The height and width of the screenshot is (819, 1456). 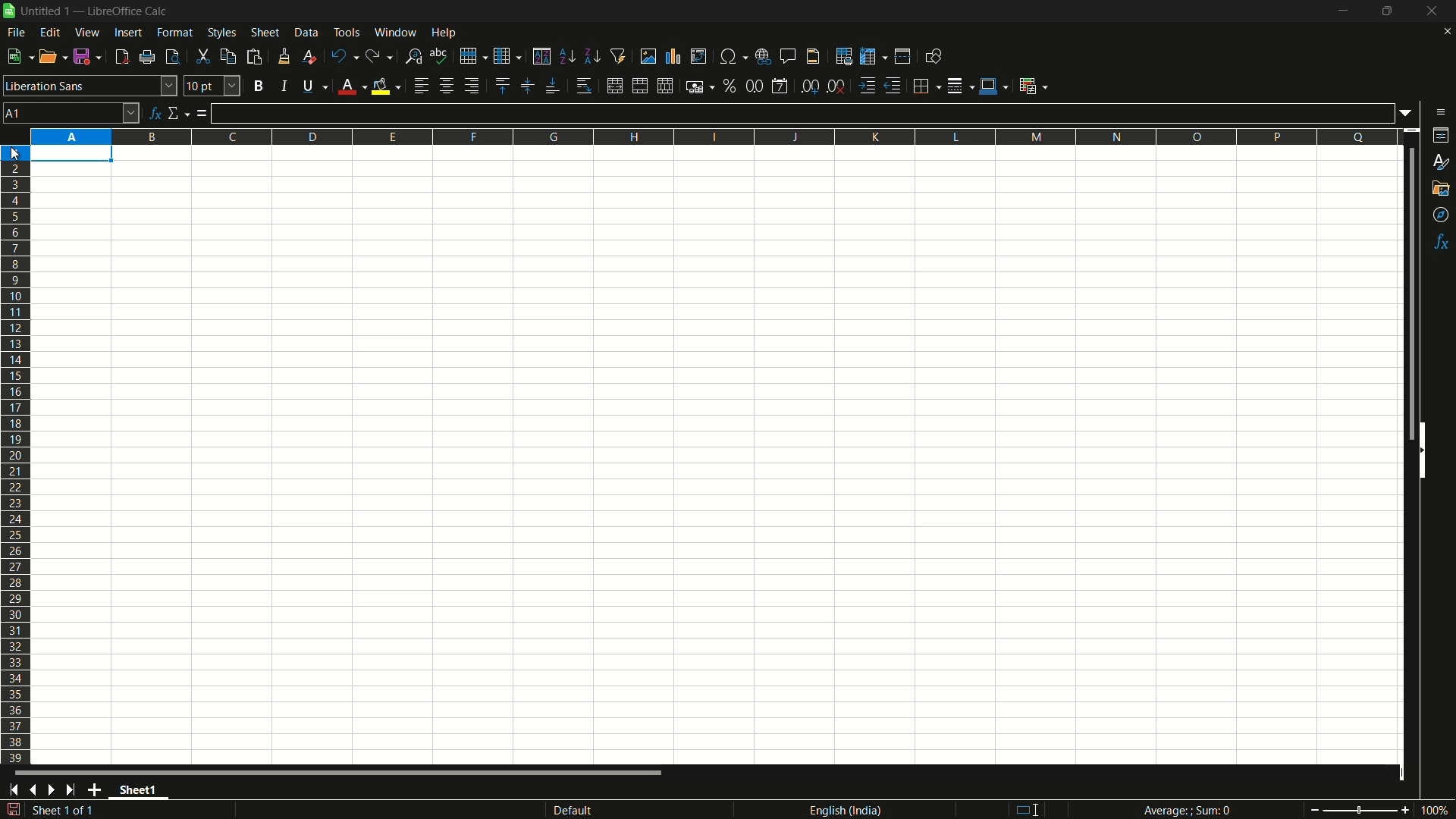 I want to click on next sheet, so click(x=55, y=789).